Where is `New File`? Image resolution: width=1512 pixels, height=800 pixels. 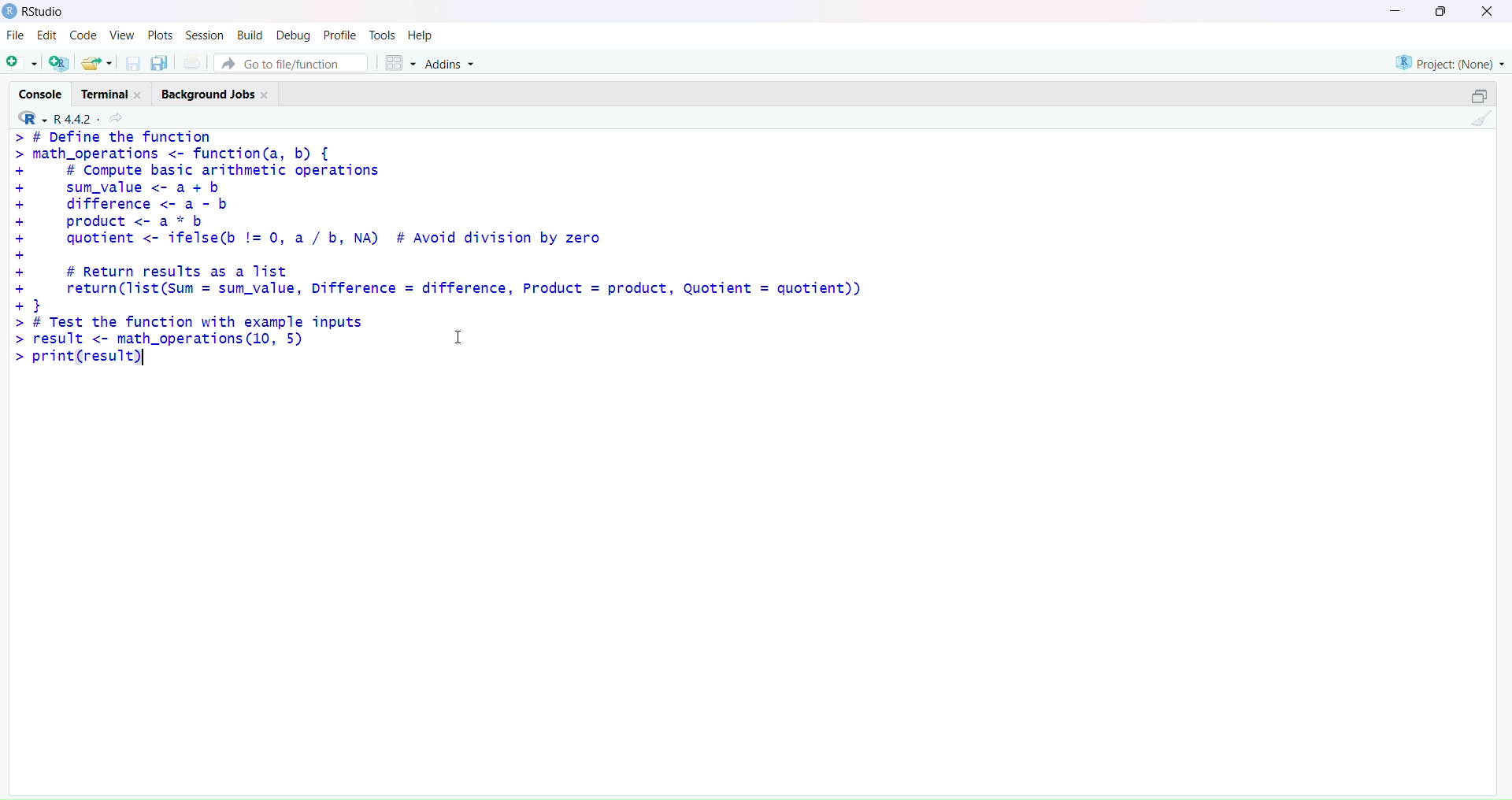
New File is located at coordinates (20, 61).